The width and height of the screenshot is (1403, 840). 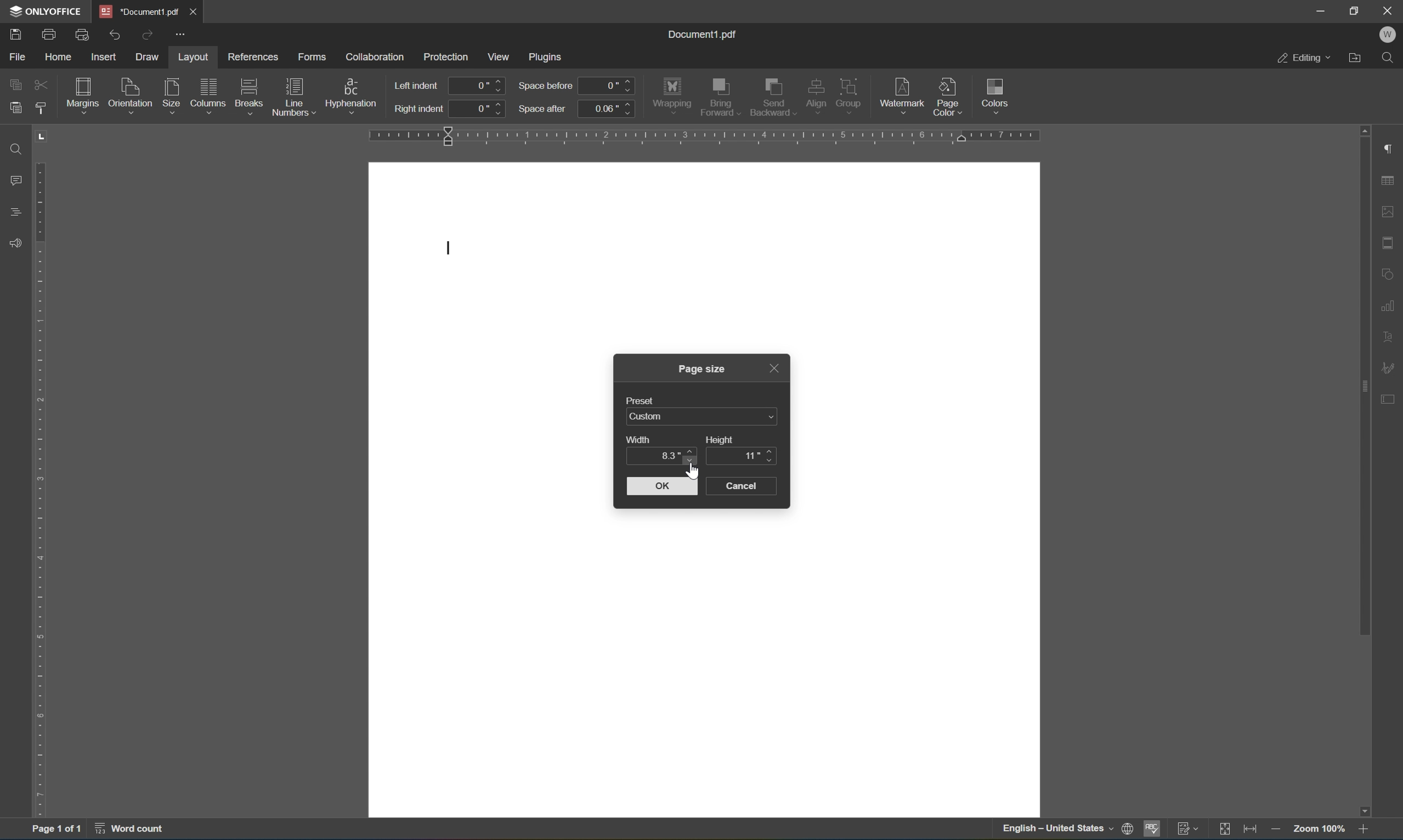 I want to click on columns, so click(x=207, y=90).